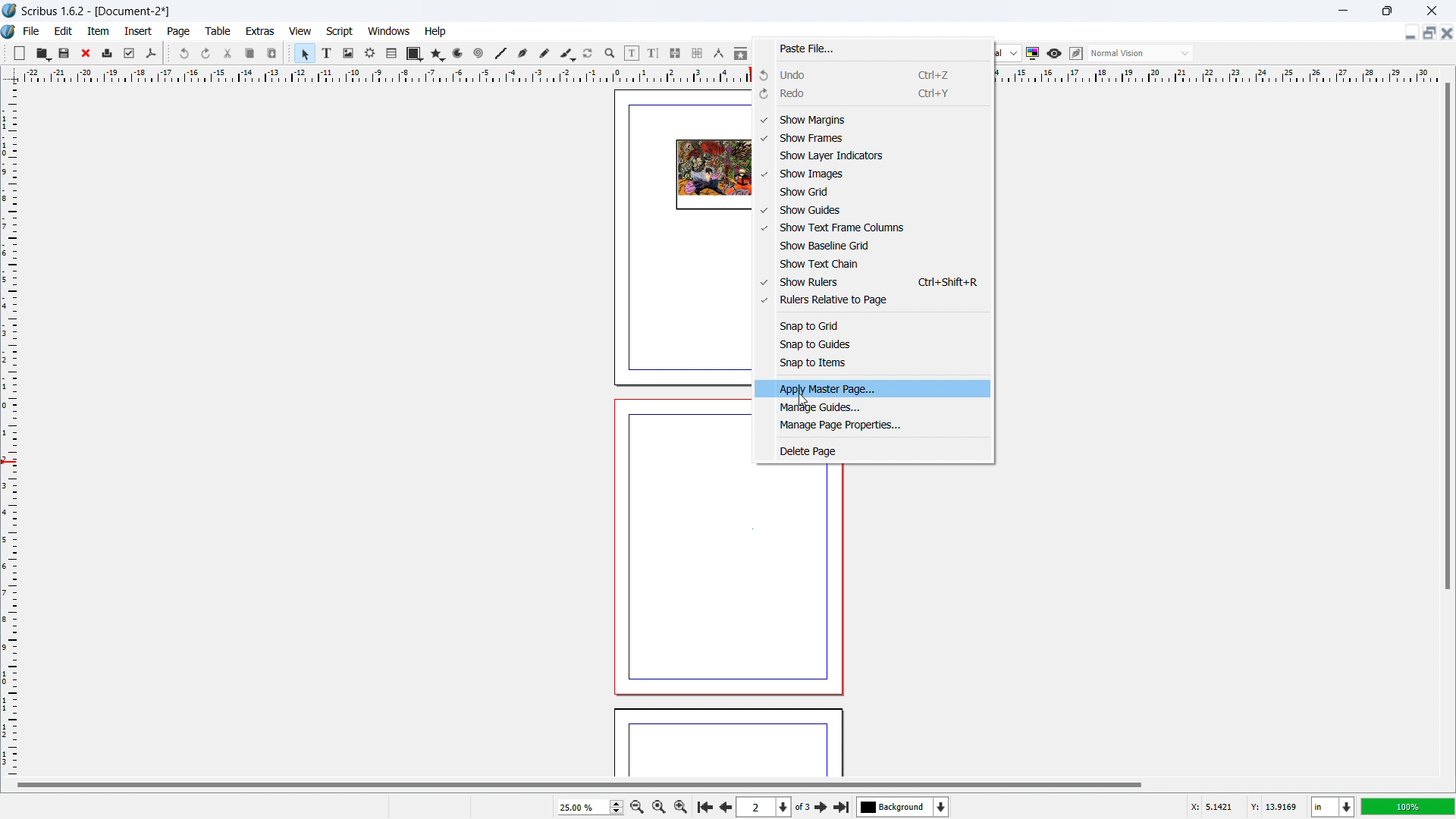 The image size is (1456, 819). I want to click on table, so click(218, 31).